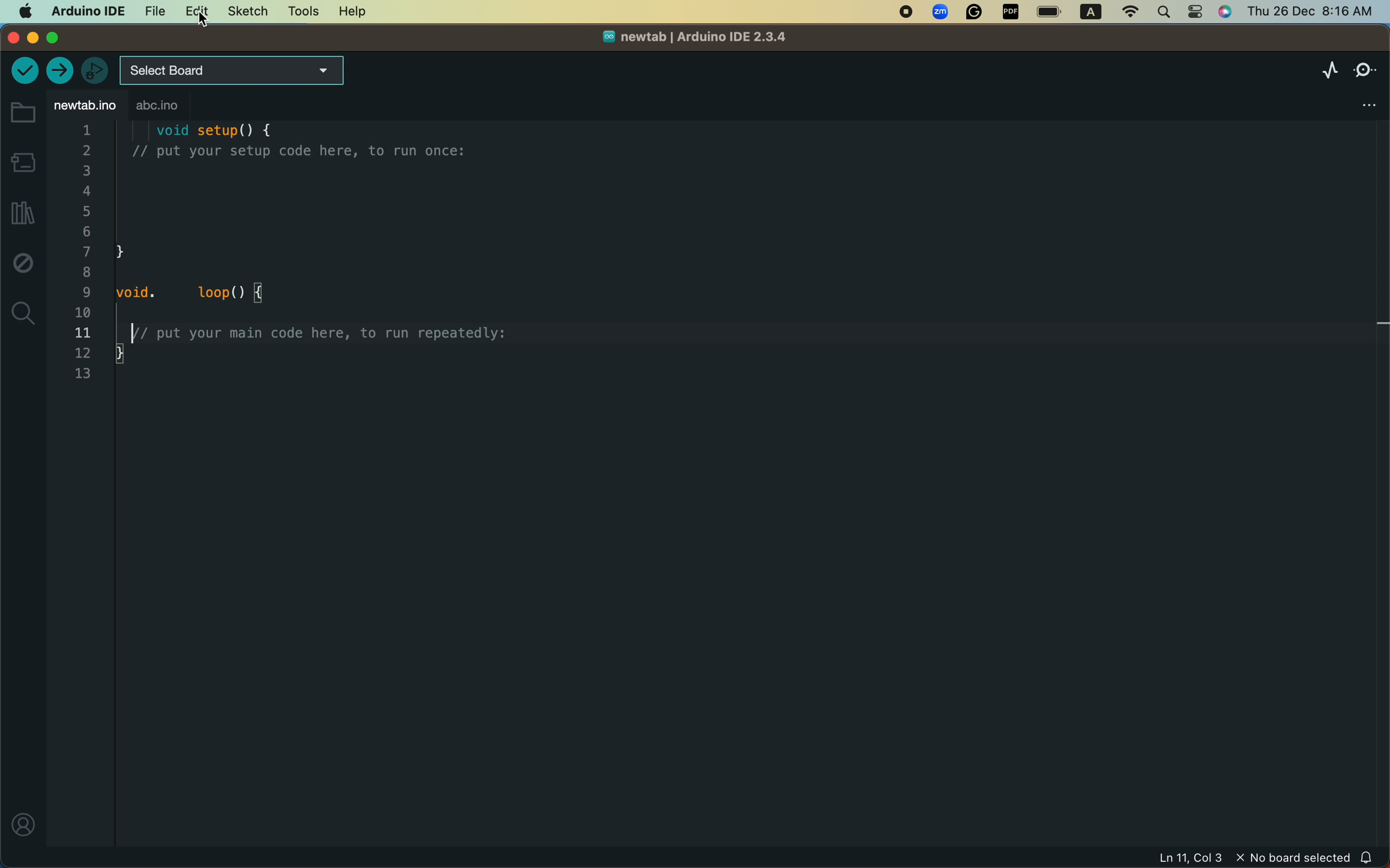  What do you see at coordinates (1228, 13) in the screenshot?
I see `siri` at bounding box center [1228, 13].